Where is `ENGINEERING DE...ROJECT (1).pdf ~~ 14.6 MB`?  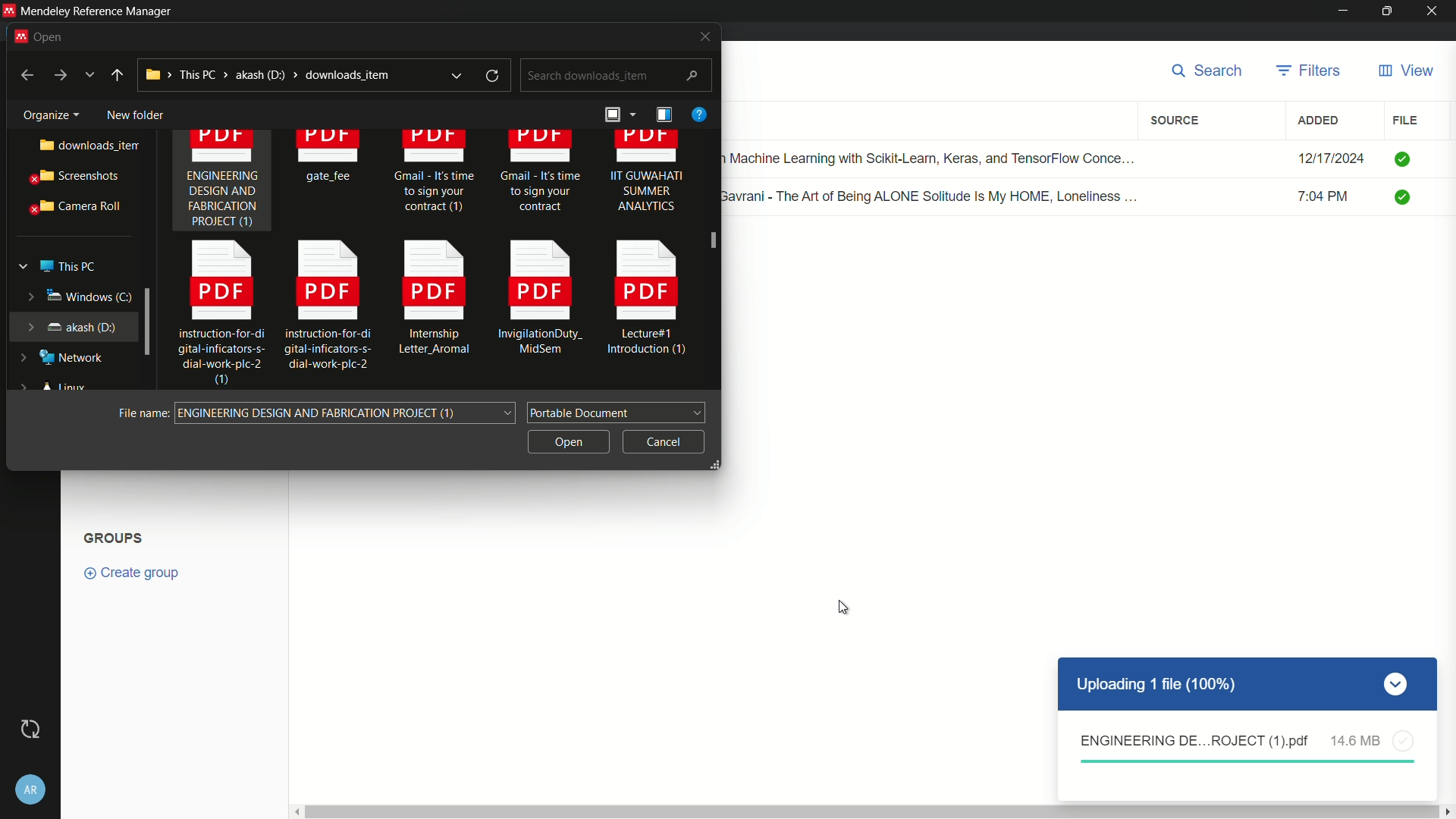
ENGINEERING DE...ROJECT (1).pdf ~~ 14.6 MB is located at coordinates (1247, 747).